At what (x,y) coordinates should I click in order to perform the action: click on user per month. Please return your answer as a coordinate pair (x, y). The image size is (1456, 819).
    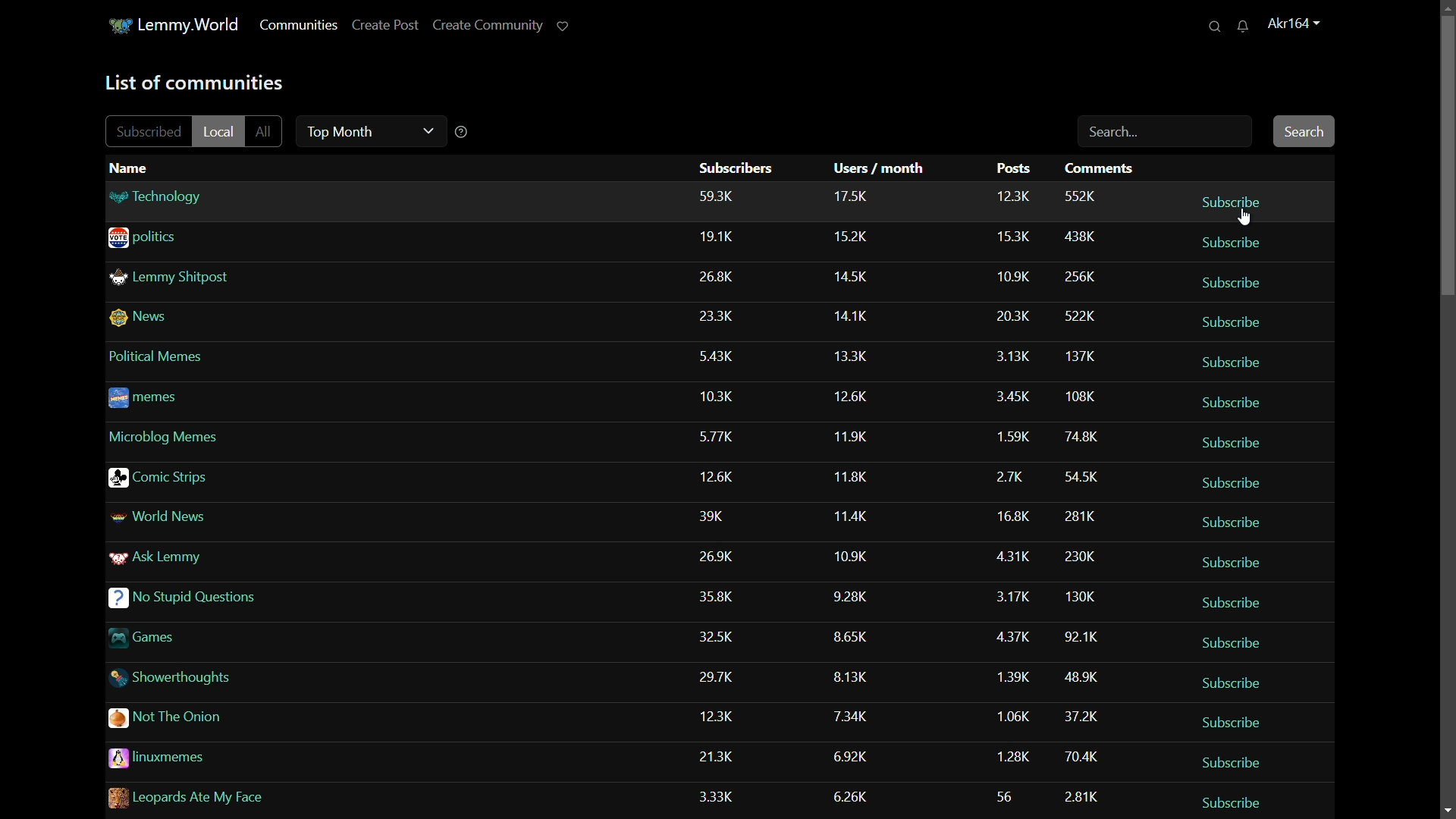
    Looking at the image, I should click on (851, 676).